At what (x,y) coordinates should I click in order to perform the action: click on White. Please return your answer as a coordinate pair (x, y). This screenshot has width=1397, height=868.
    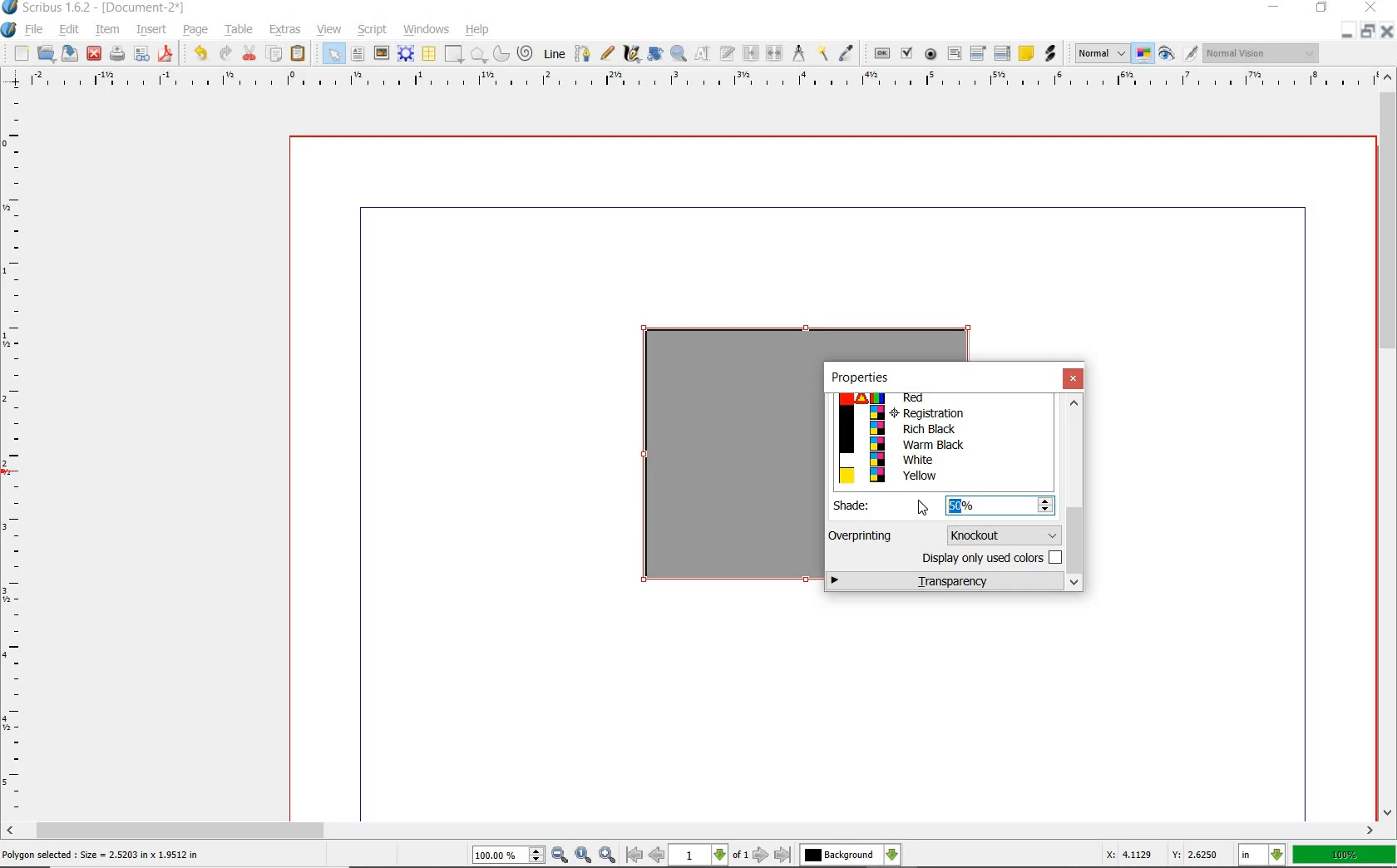
    Looking at the image, I should click on (940, 459).